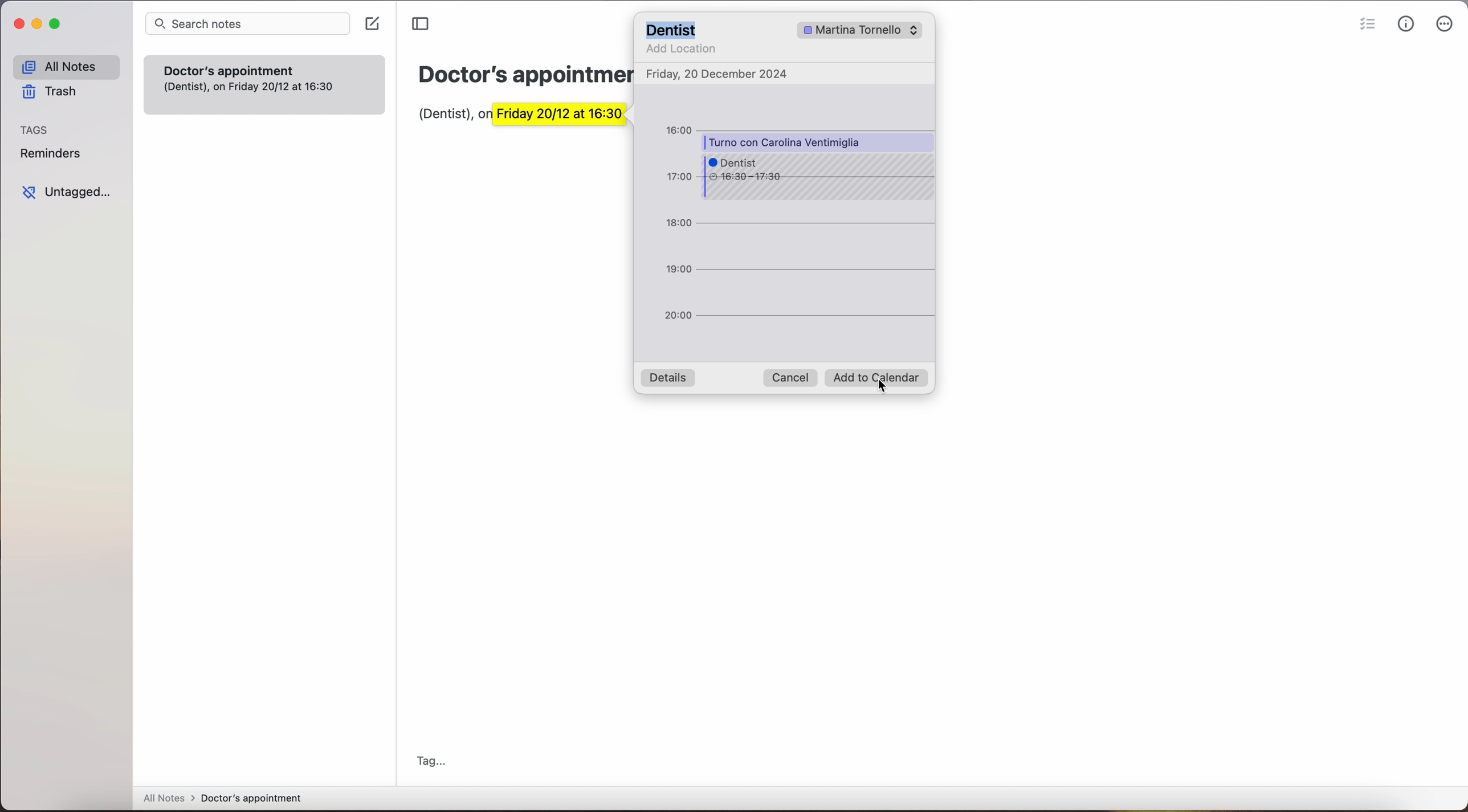 The width and height of the screenshot is (1468, 812). Describe the element at coordinates (678, 226) in the screenshot. I see `Time` at that location.